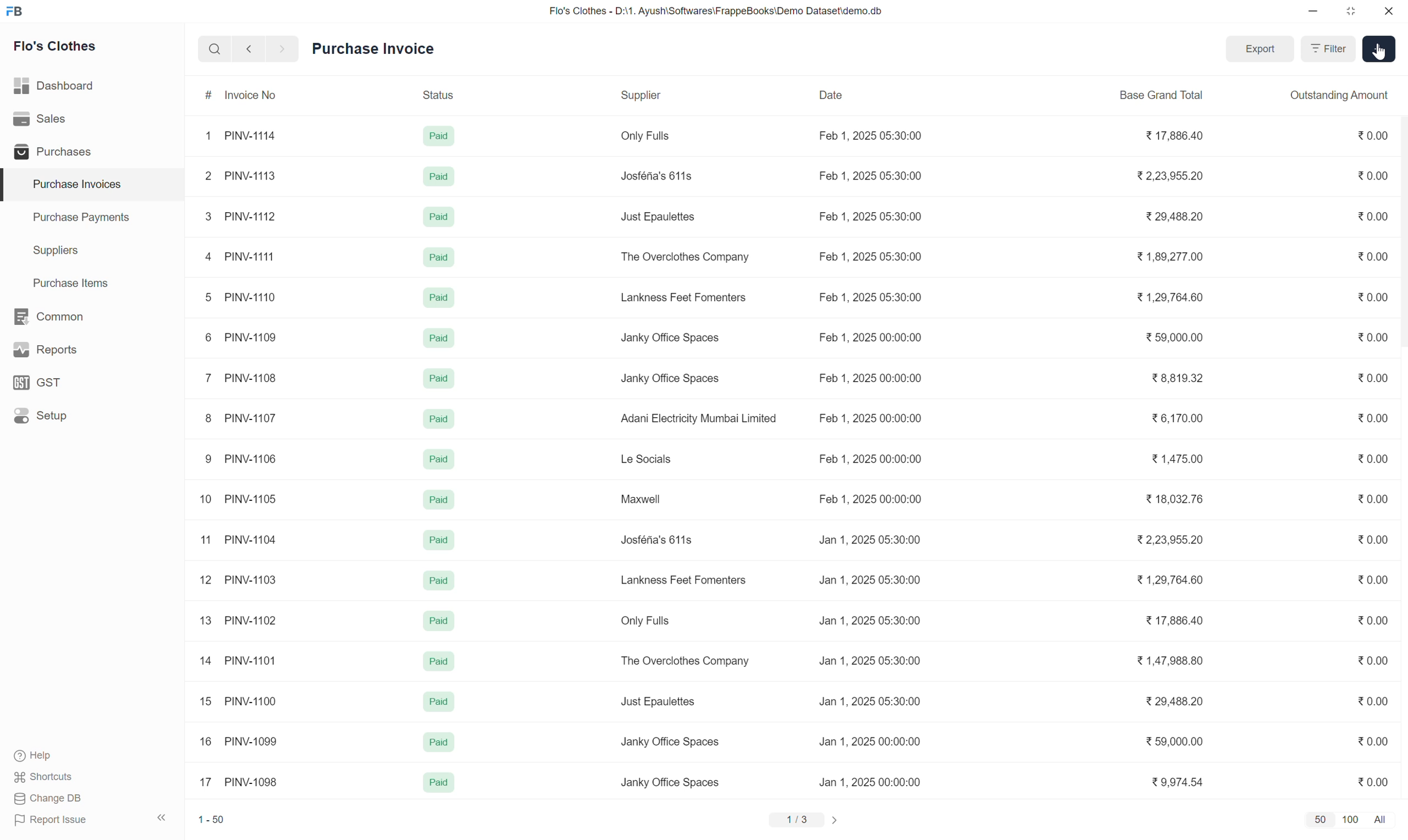 This screenshot has width=1408, height=840. I want to click on 2 PINV-1113, so click(239, 175).